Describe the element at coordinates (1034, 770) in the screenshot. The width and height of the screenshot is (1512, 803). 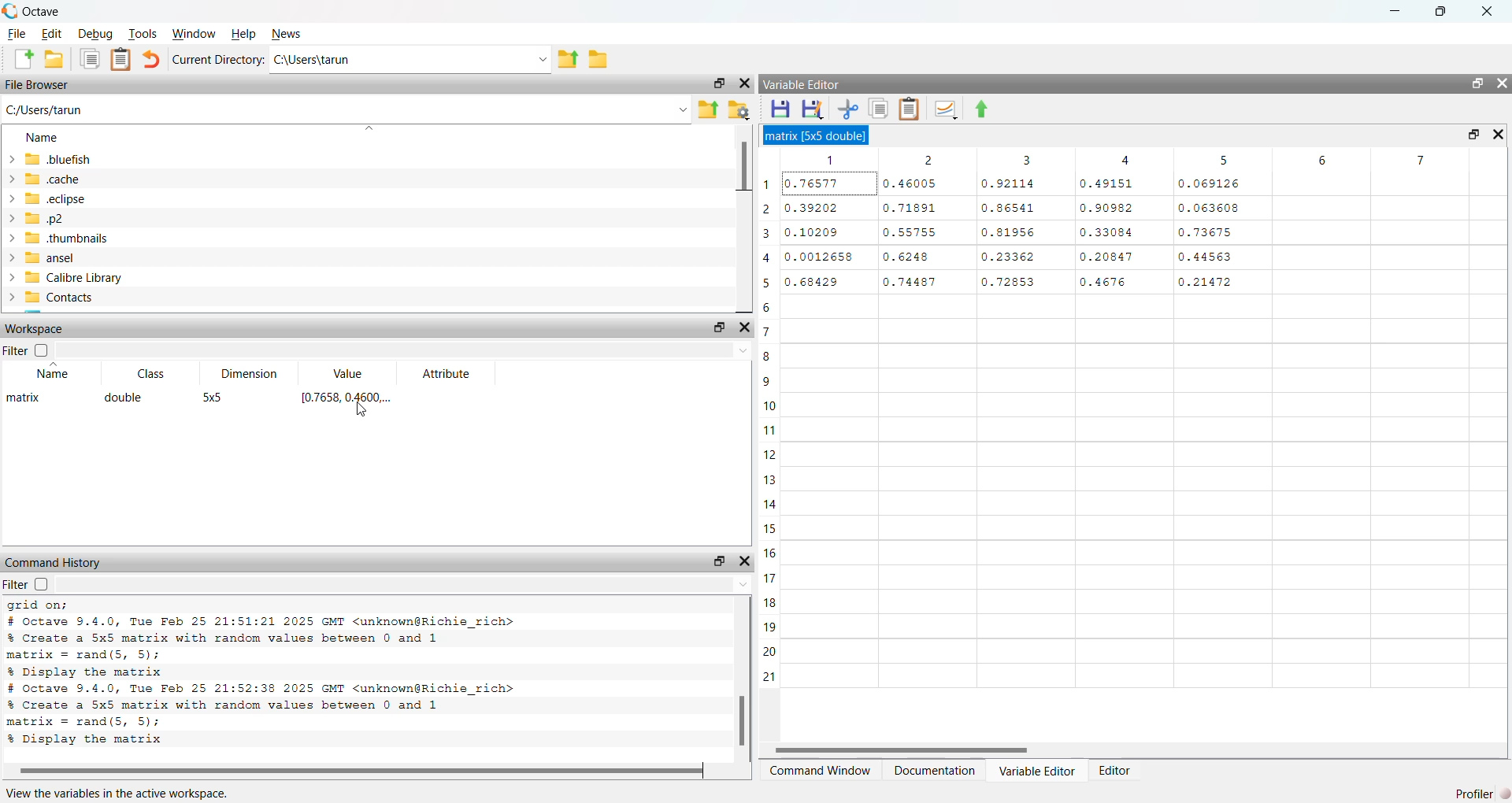
I see `Editor` at that location.